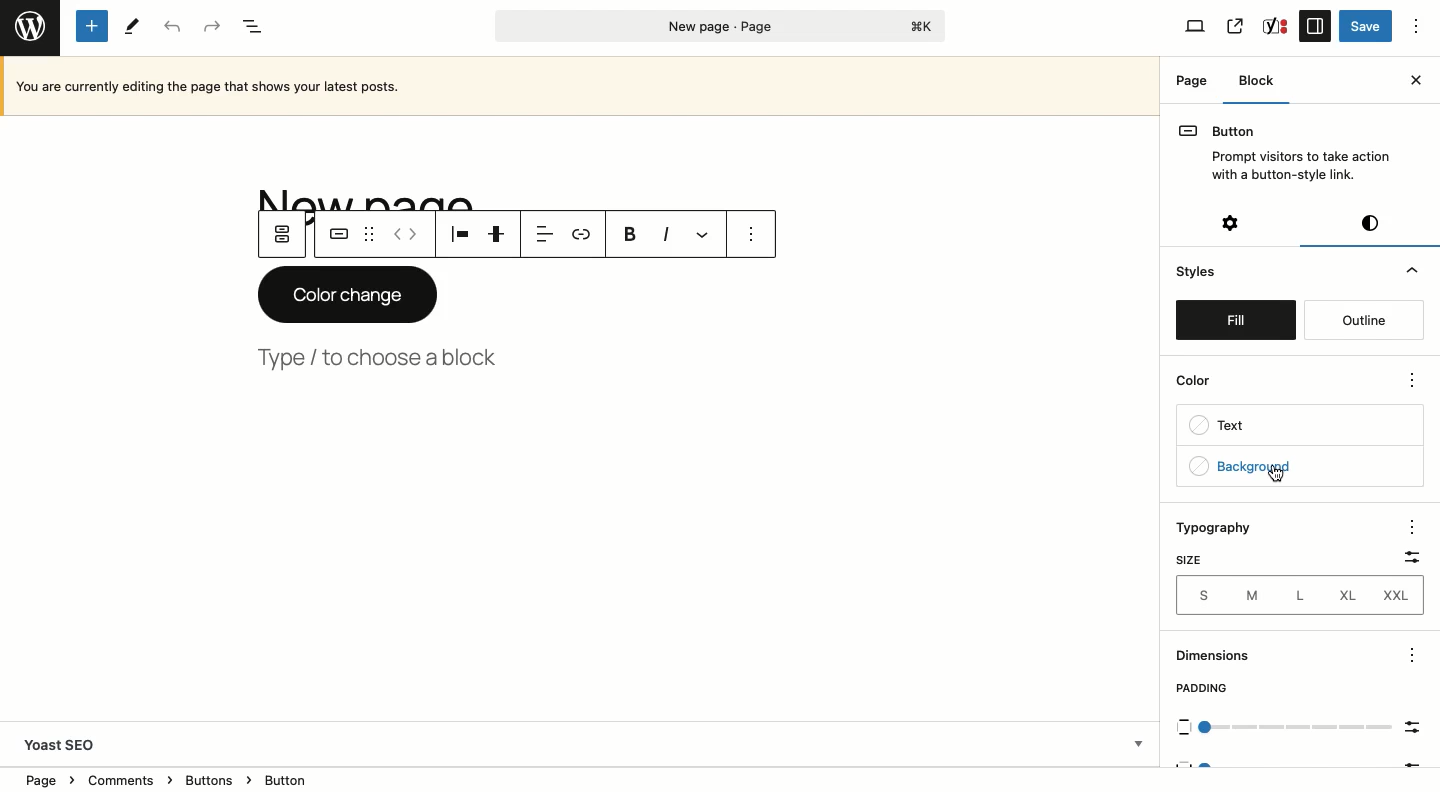 The height and width of the screenshot is (792, 1440). Describe the element at coordinates (1367, 27) in the screenshot. I see `Save` at that location.